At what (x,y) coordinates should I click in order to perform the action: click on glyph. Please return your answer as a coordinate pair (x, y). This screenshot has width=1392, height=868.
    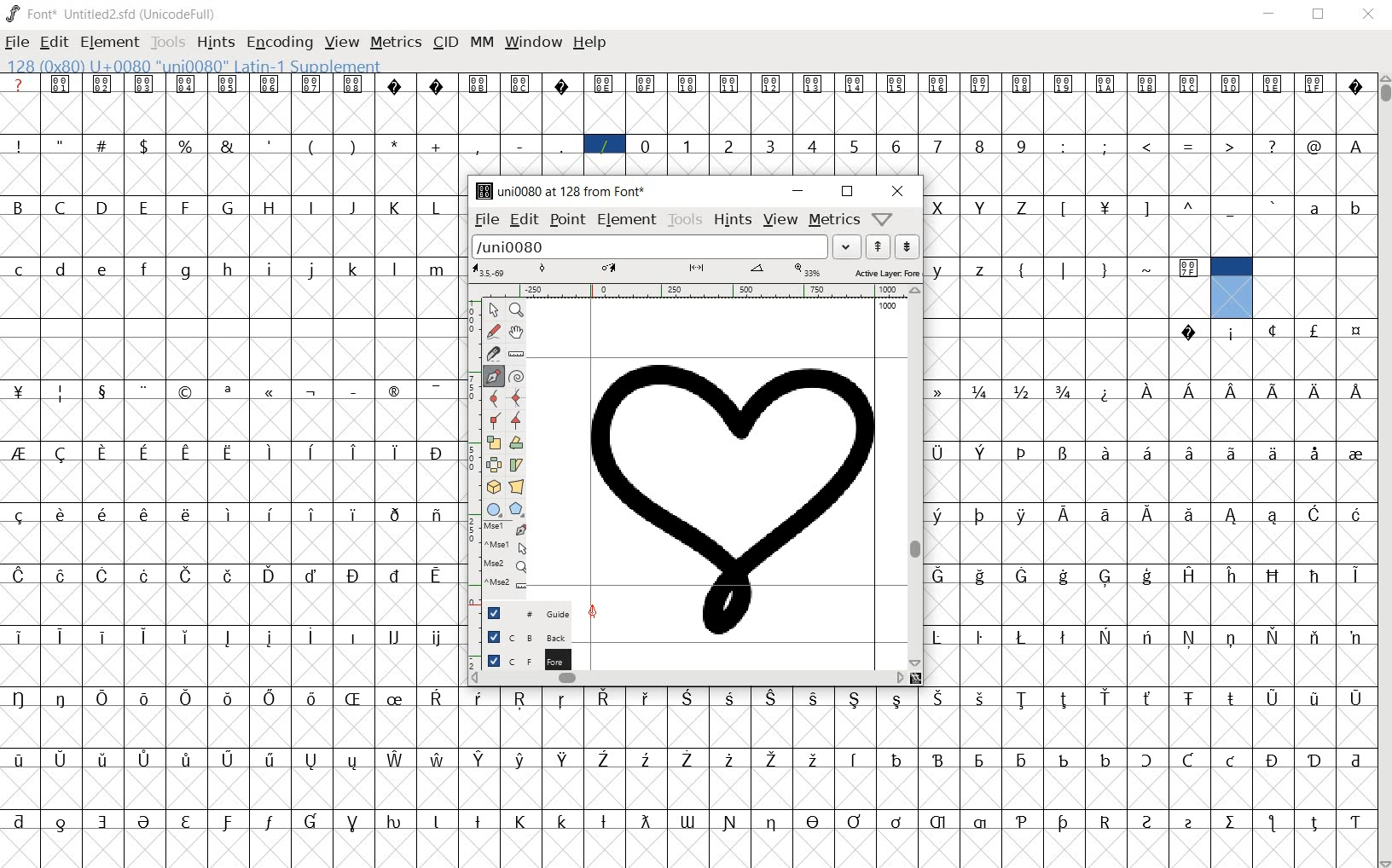
    Looking at the image, I should click on (60, 636).